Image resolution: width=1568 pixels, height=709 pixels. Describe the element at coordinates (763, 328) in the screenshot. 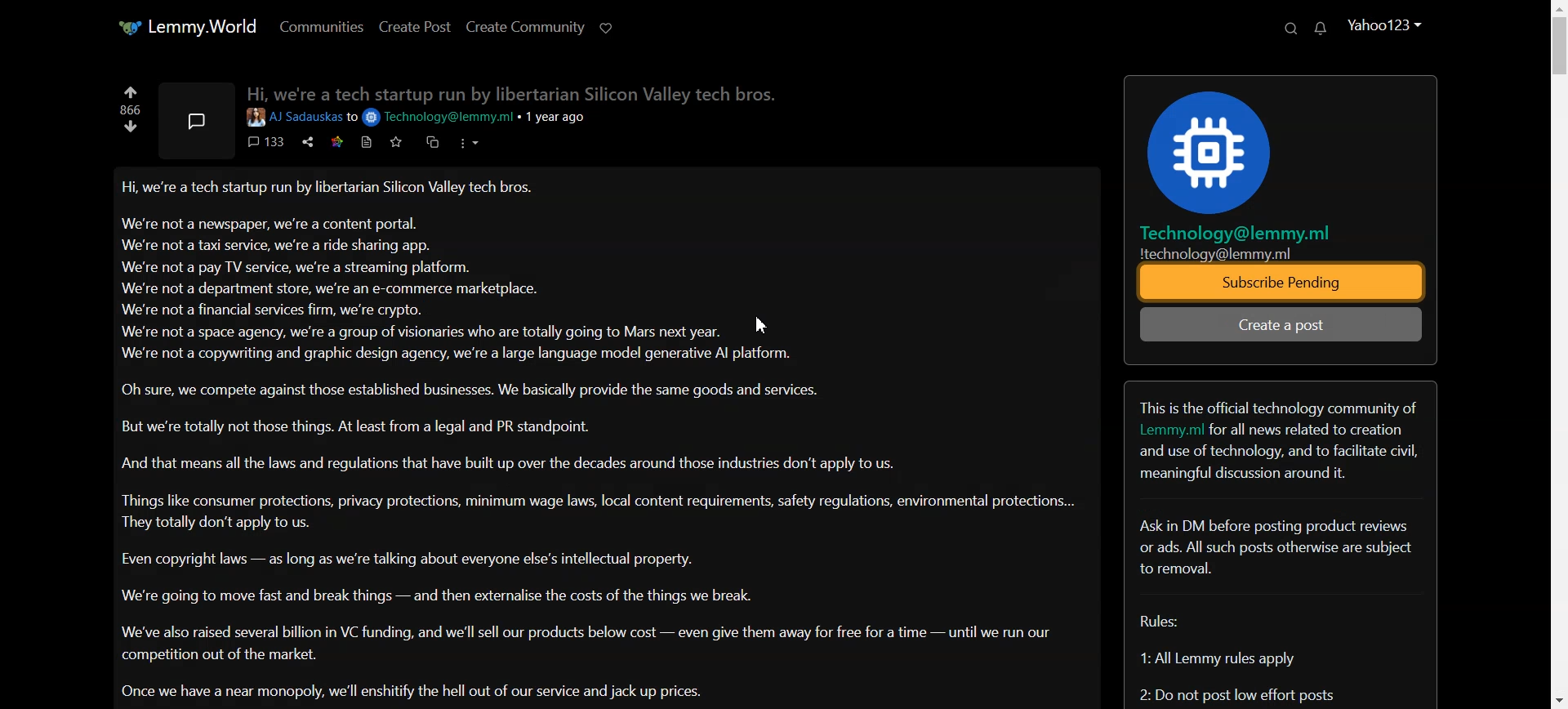

I see `Cursor` at that location.